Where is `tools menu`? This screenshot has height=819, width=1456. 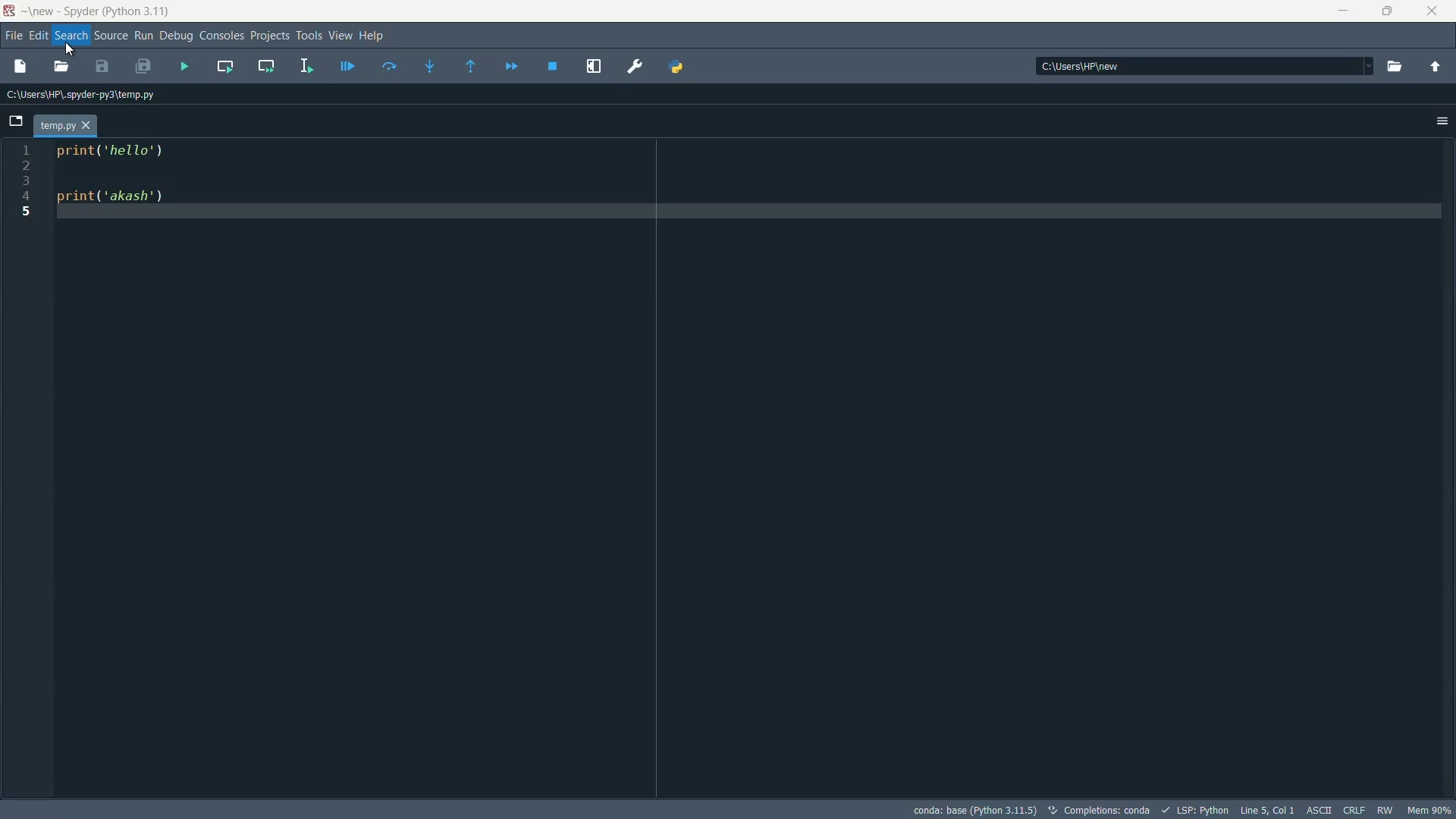
tools menu is located at coordinates (308, 36).